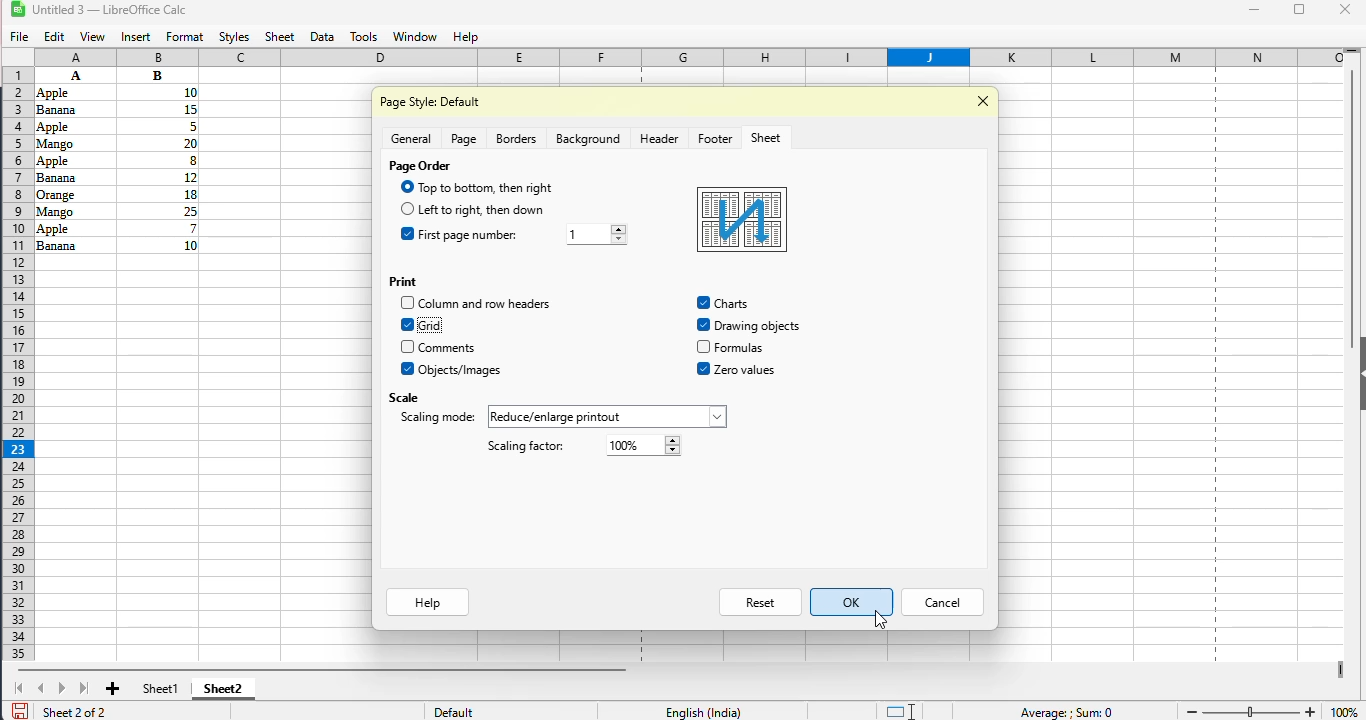  Describe the element at coordinates (55, 37) in the screenshot. I see `edit` at that location.